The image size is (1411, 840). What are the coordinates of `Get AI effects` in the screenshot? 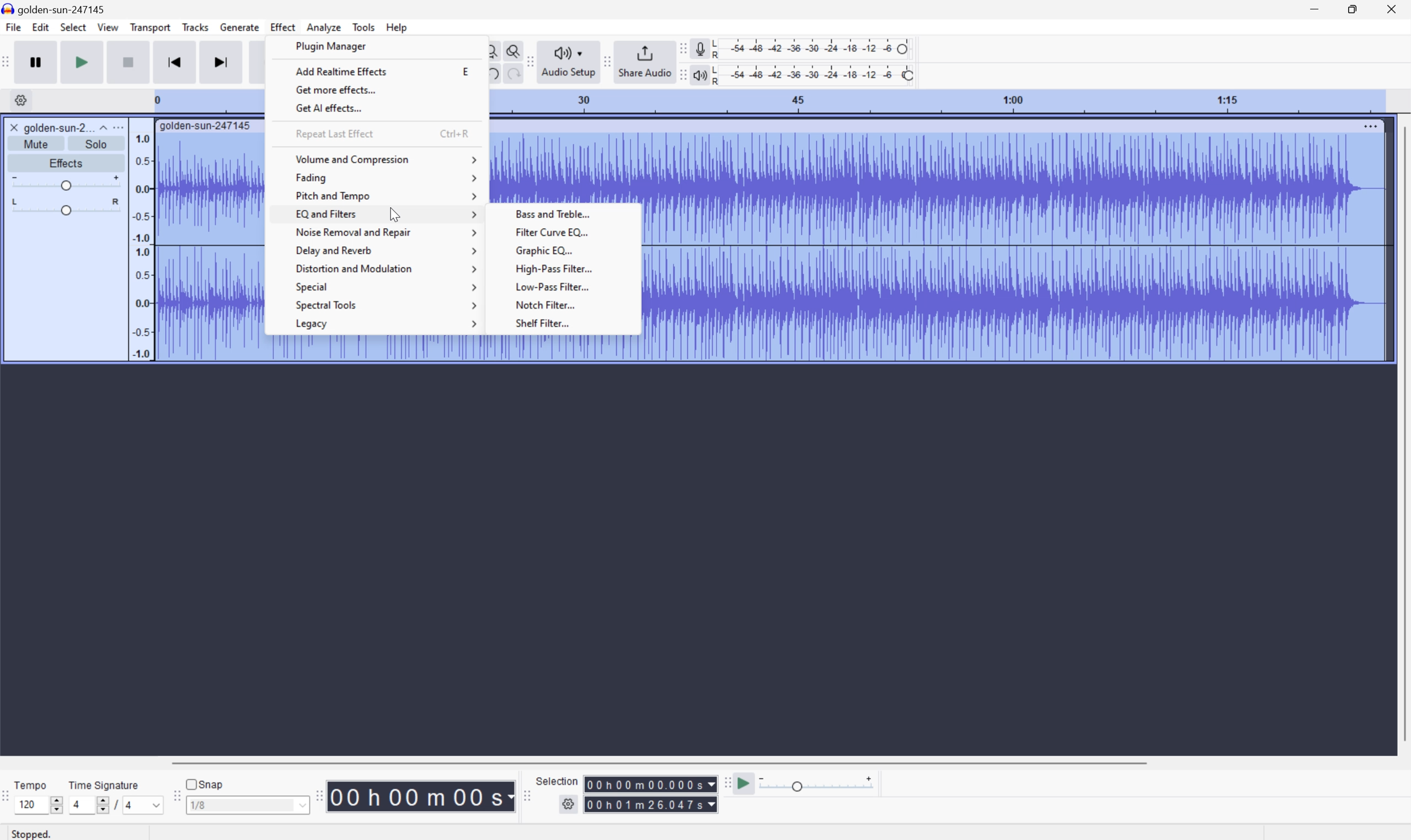 It's located at (330, 109).